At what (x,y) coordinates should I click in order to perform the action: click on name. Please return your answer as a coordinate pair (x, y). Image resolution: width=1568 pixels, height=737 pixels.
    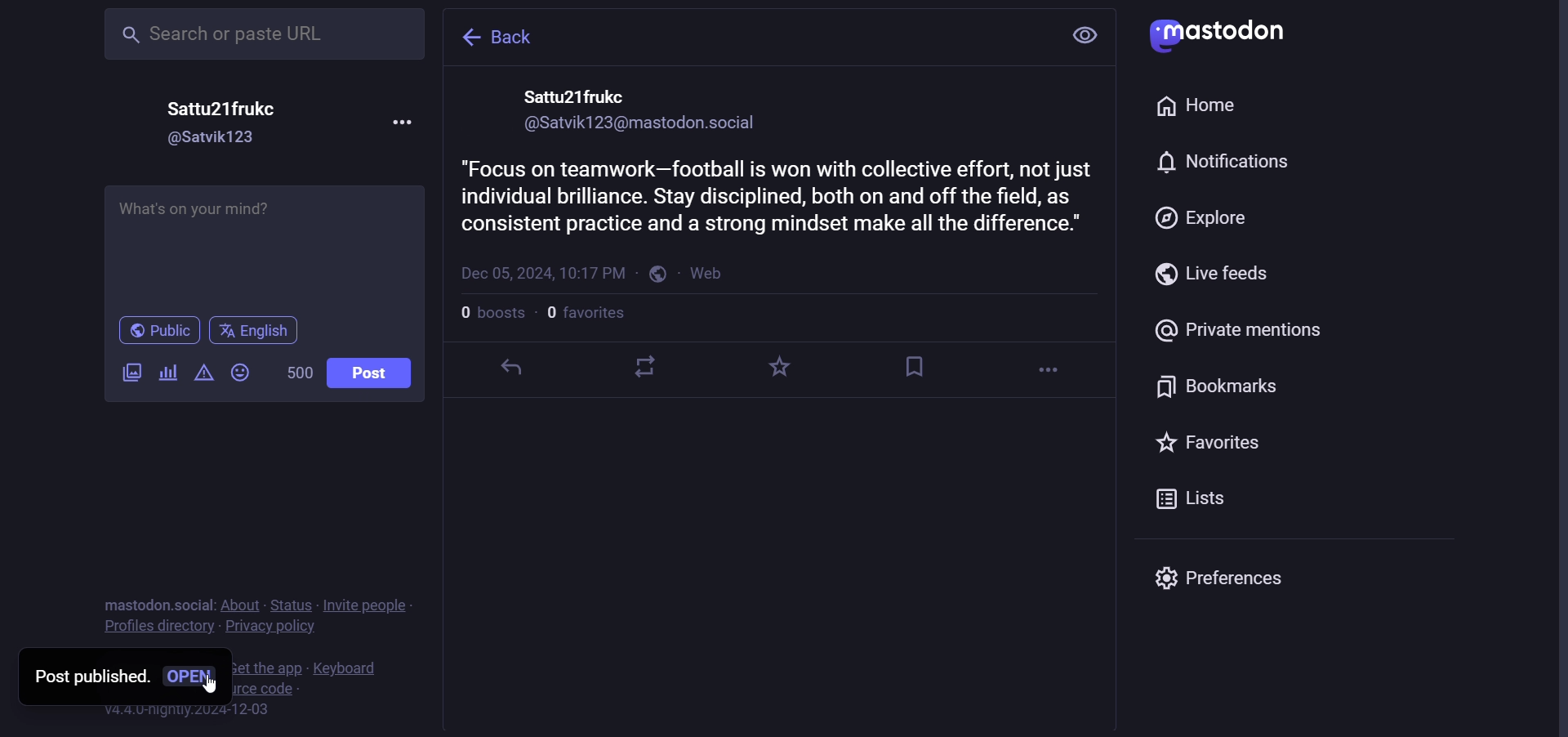
    Looking at the image, I should click on (221, 109).